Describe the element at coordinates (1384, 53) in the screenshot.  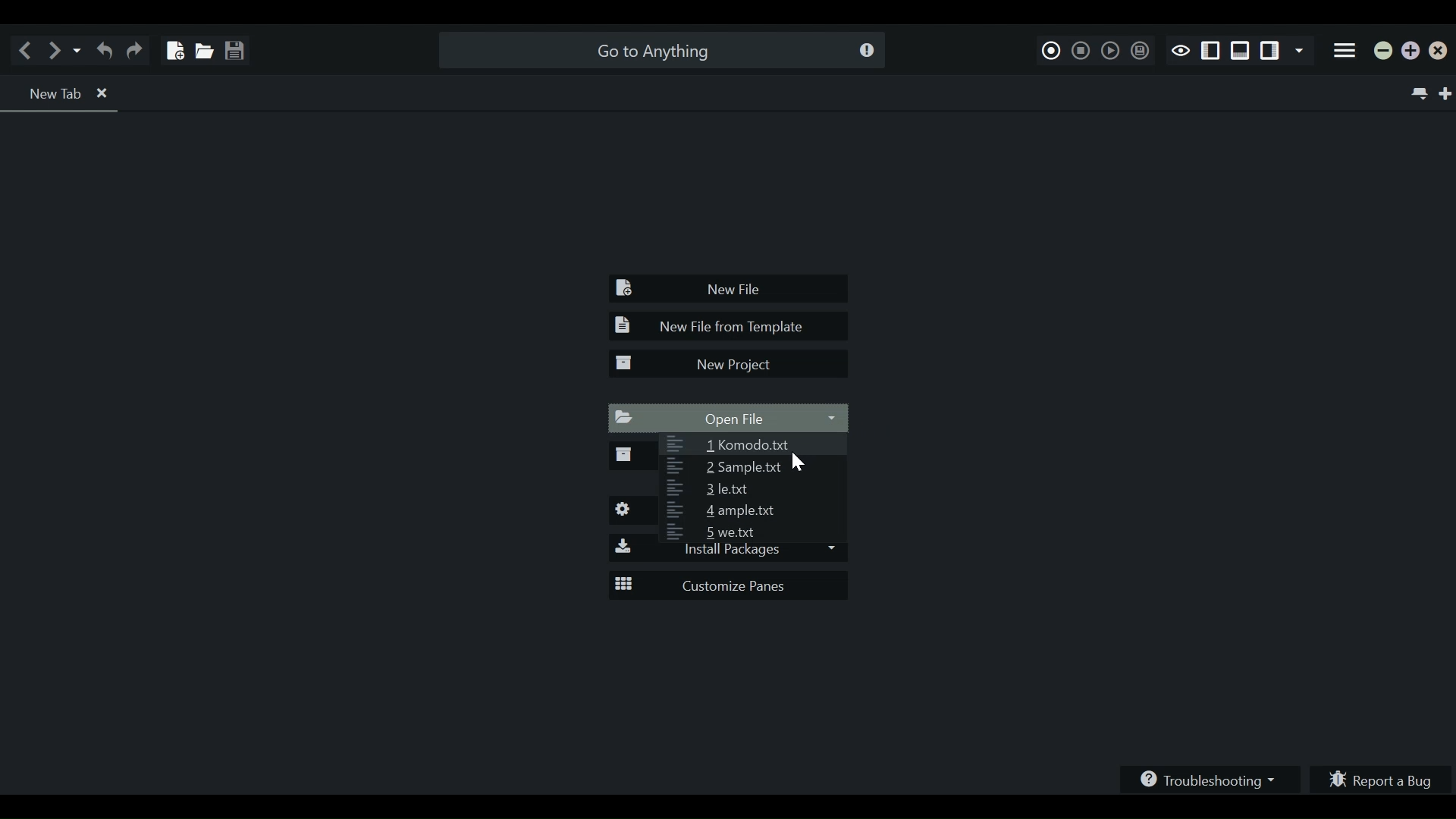
I see `minimize` at that location.